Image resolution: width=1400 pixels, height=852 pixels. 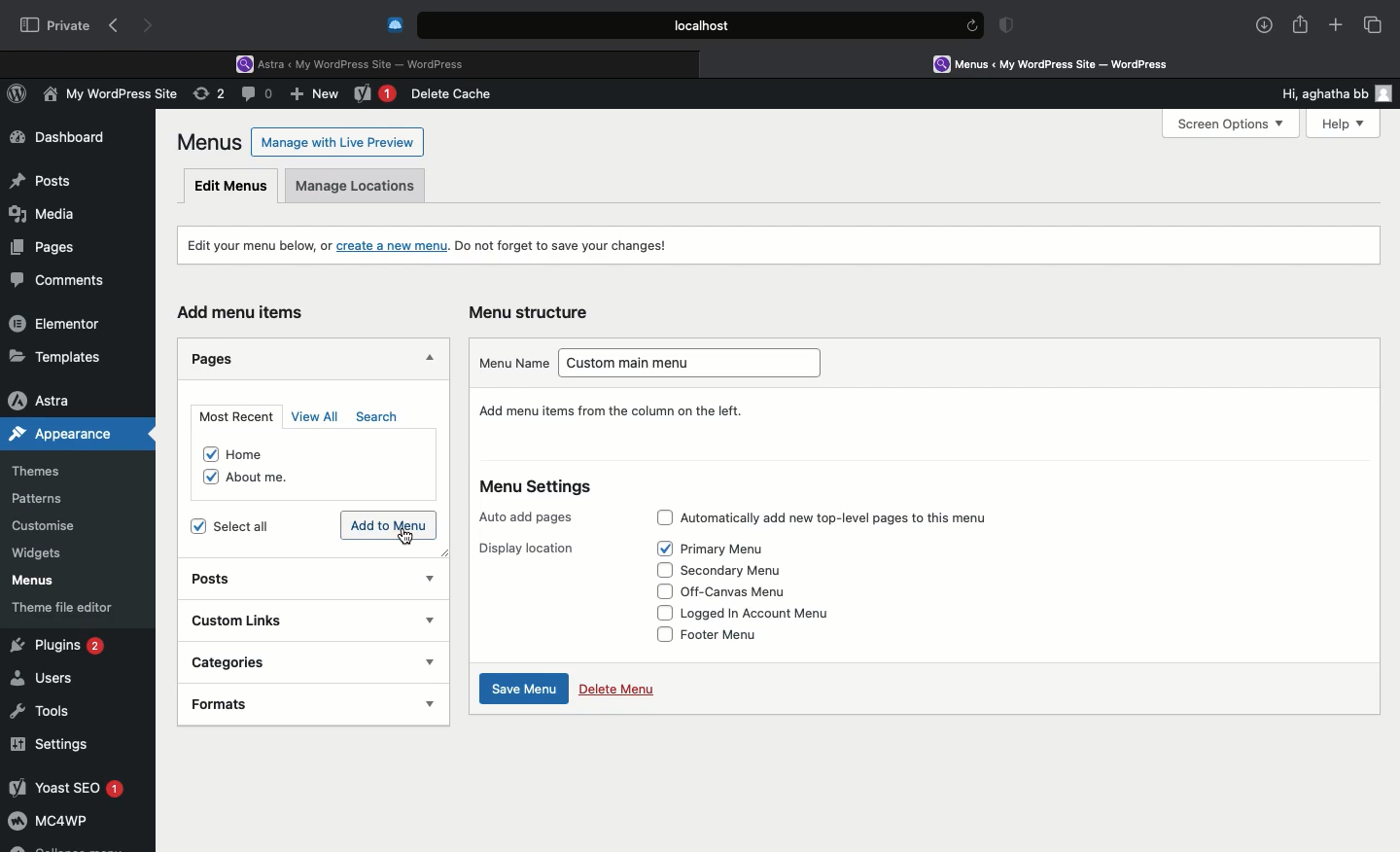 What do you see at coordinates (394, 244) in the screenshot?
I see `create a new menu` at bounding box center [394, 244].